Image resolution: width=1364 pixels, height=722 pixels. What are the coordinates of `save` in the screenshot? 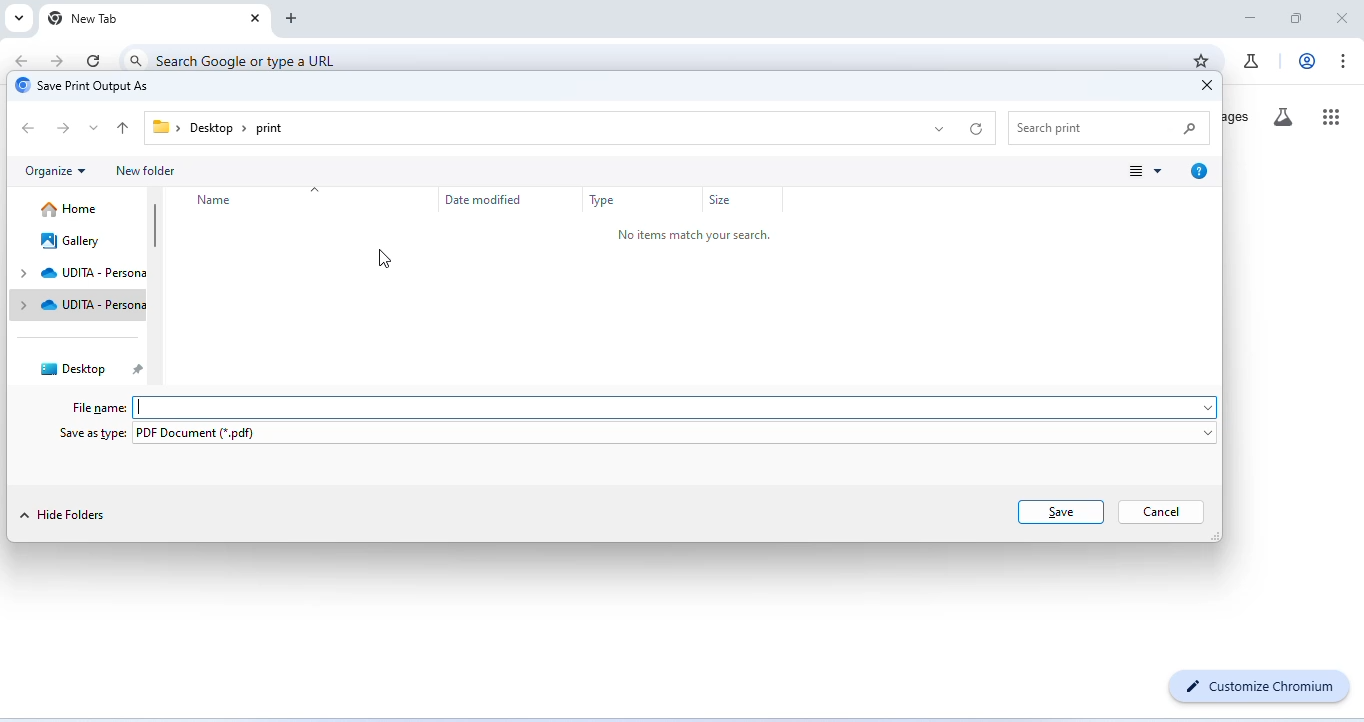 It's located at (1062, 511).